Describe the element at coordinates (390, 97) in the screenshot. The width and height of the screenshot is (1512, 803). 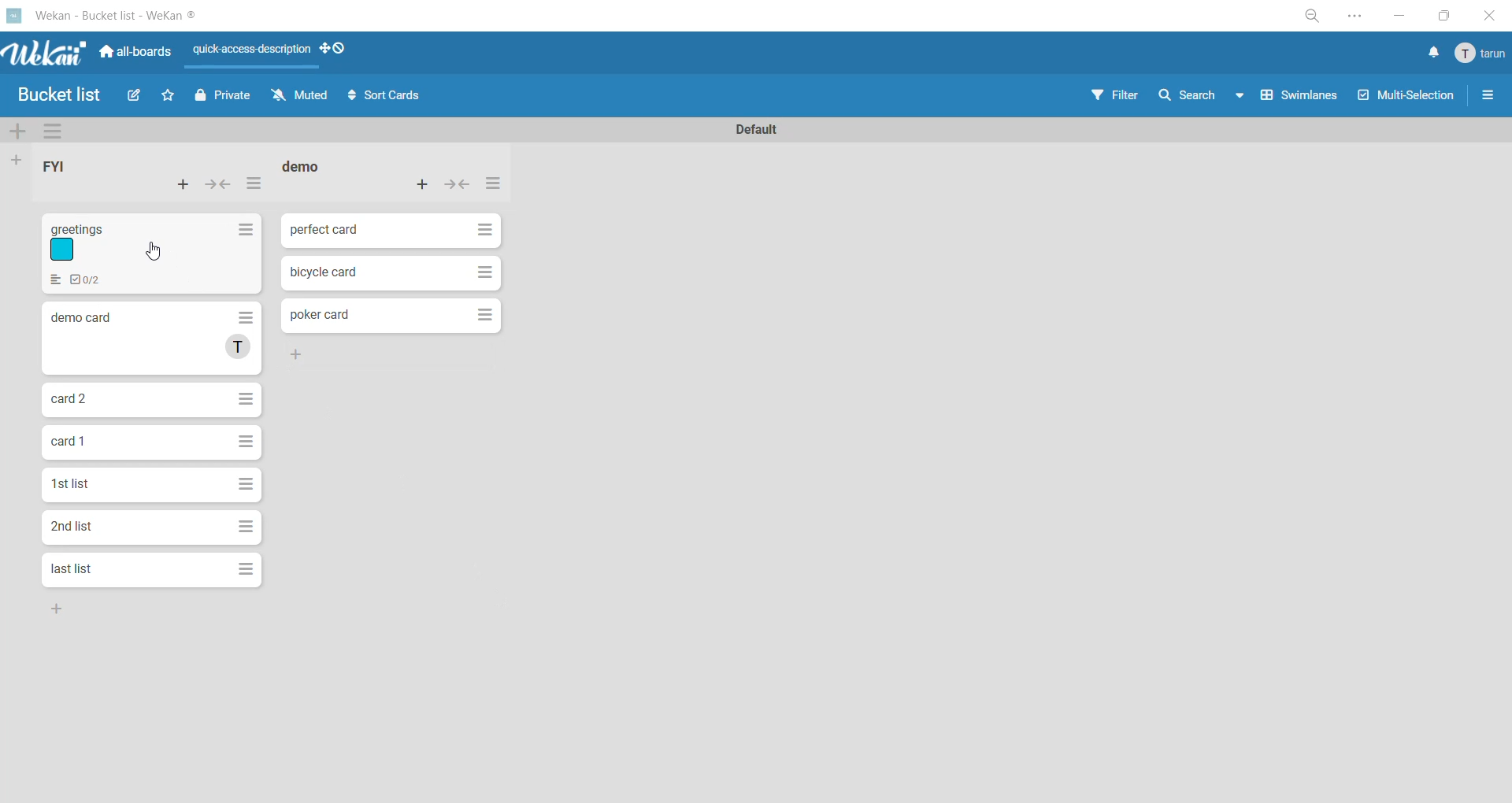
I see `sort cards` at that location.